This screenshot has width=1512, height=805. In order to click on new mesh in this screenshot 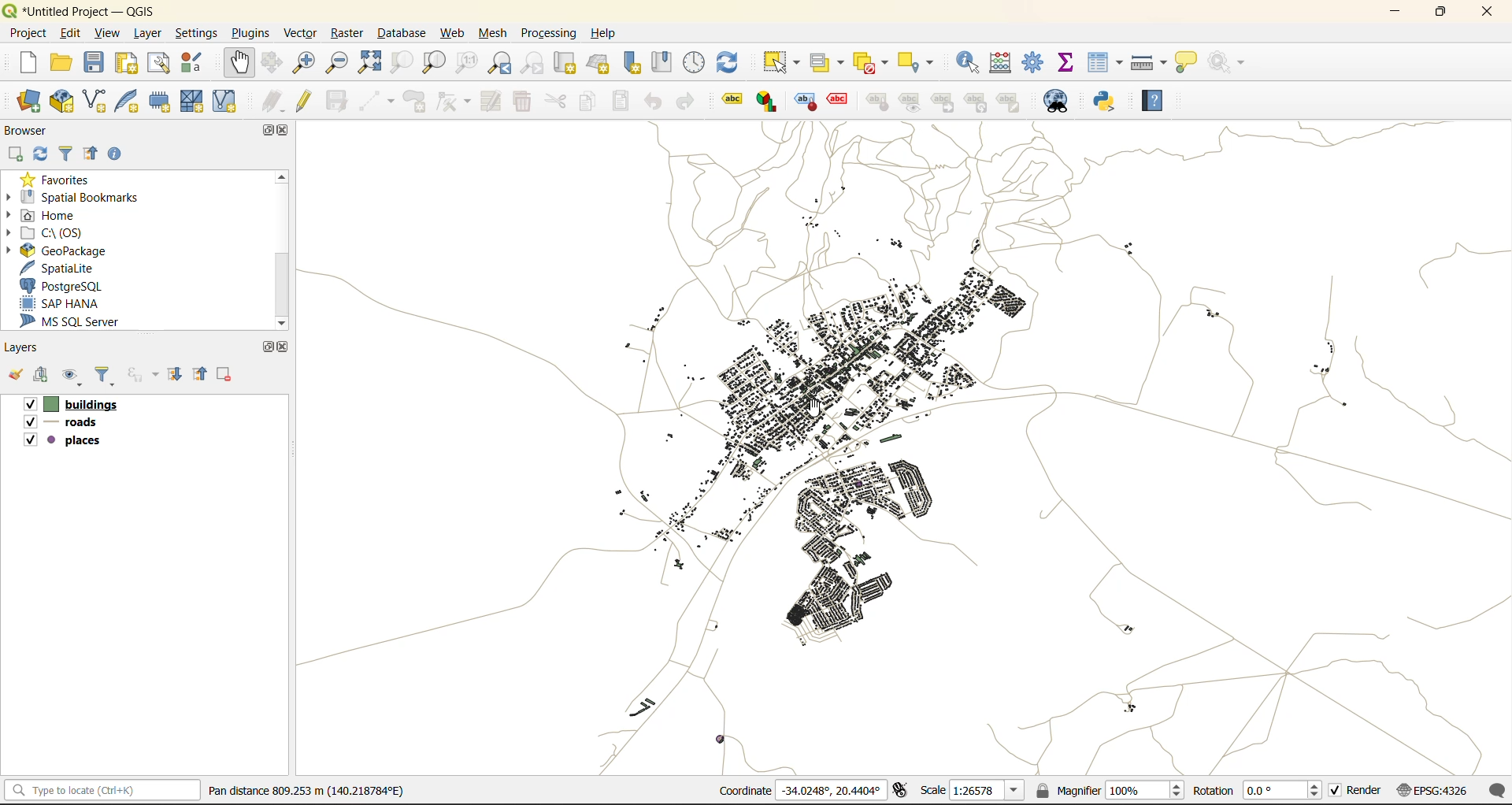, I will do `click(192, 100)`.